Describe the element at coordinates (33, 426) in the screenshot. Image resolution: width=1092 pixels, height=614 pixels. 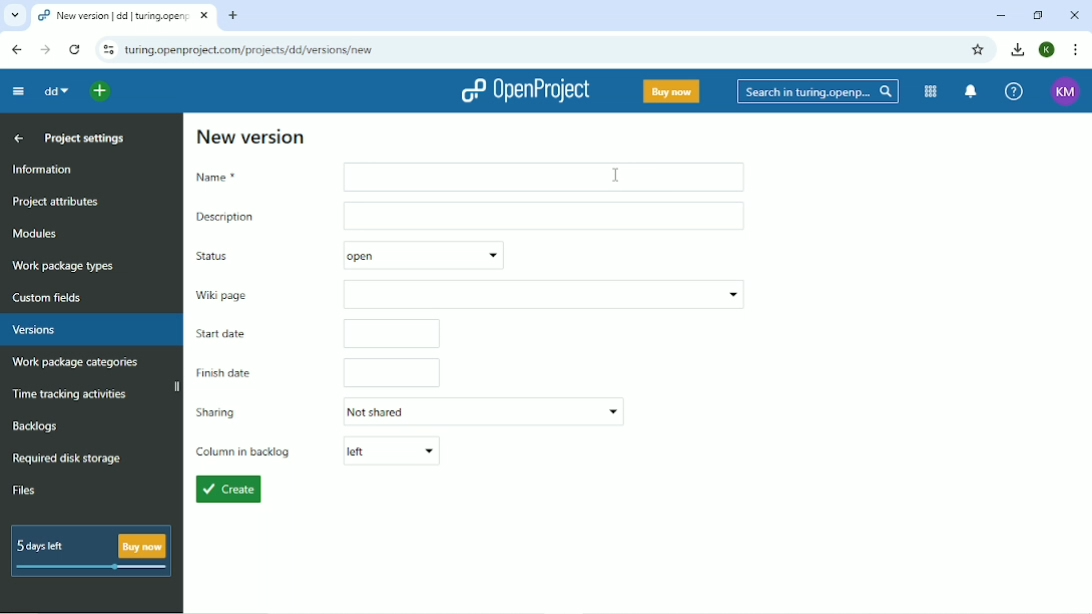
I see `Backlogs` at that location.